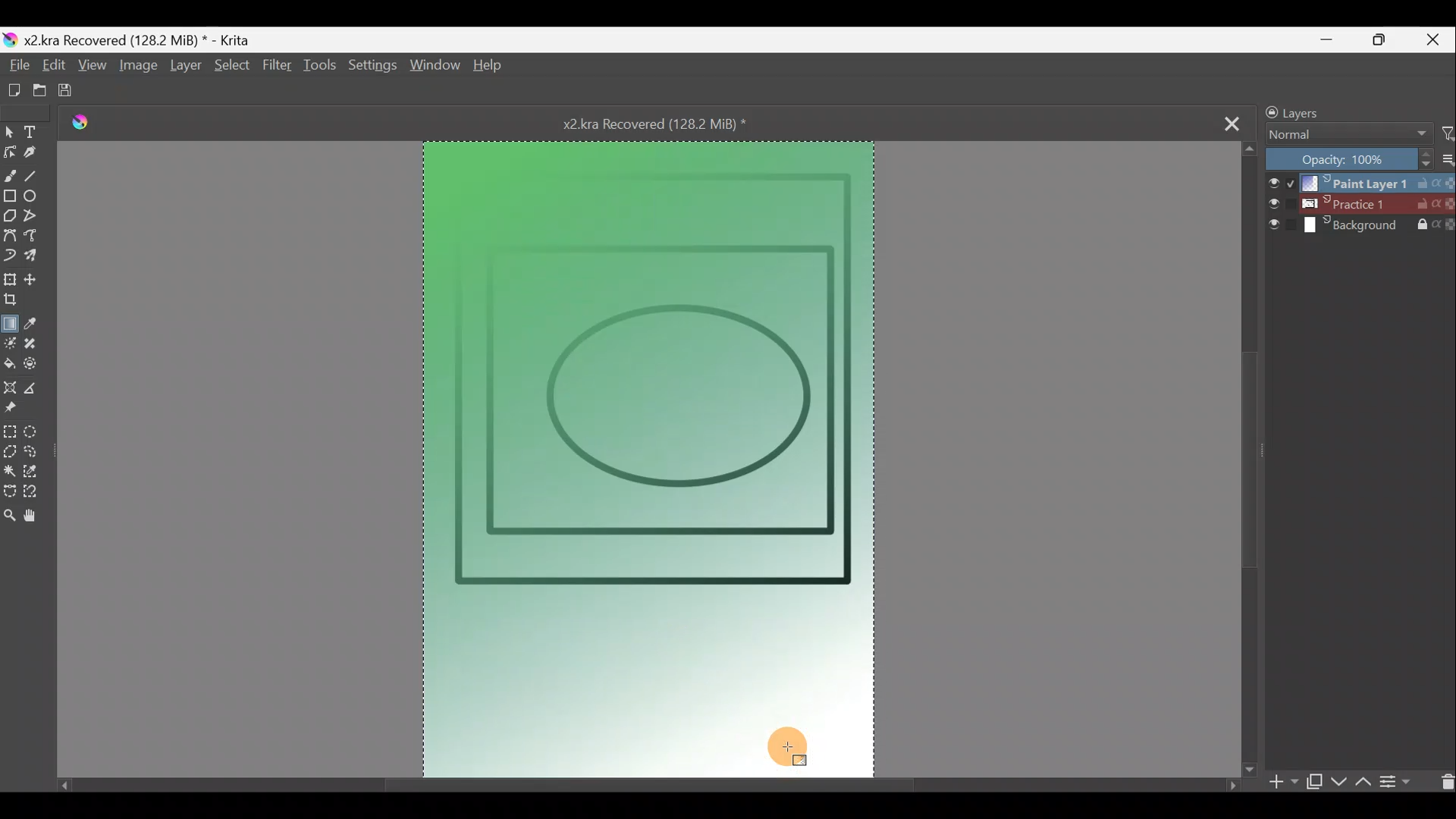 The height and width of the screenshot is (819, 1456). What do you see at coordinates (230, 66) in the screenshot?
I see `Select` at bounding box center [230, 66].